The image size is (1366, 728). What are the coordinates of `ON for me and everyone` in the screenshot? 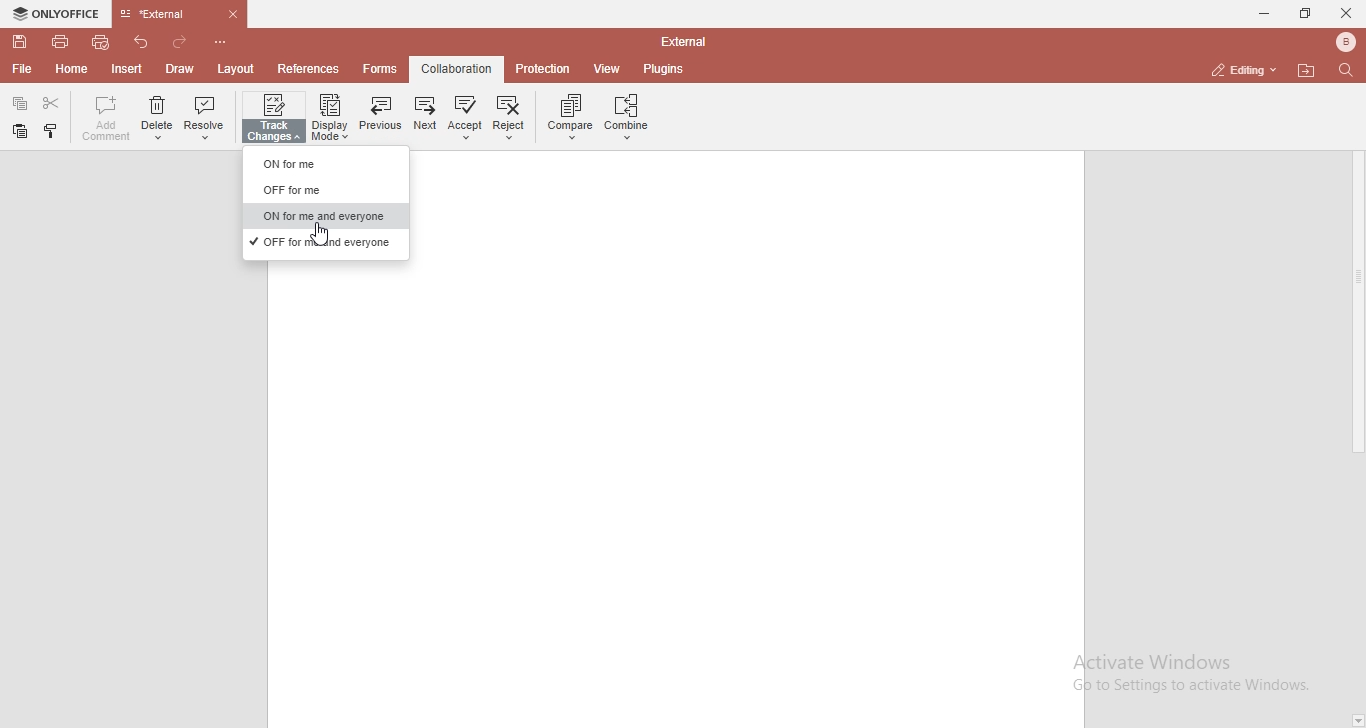 It's located at (321, 217).